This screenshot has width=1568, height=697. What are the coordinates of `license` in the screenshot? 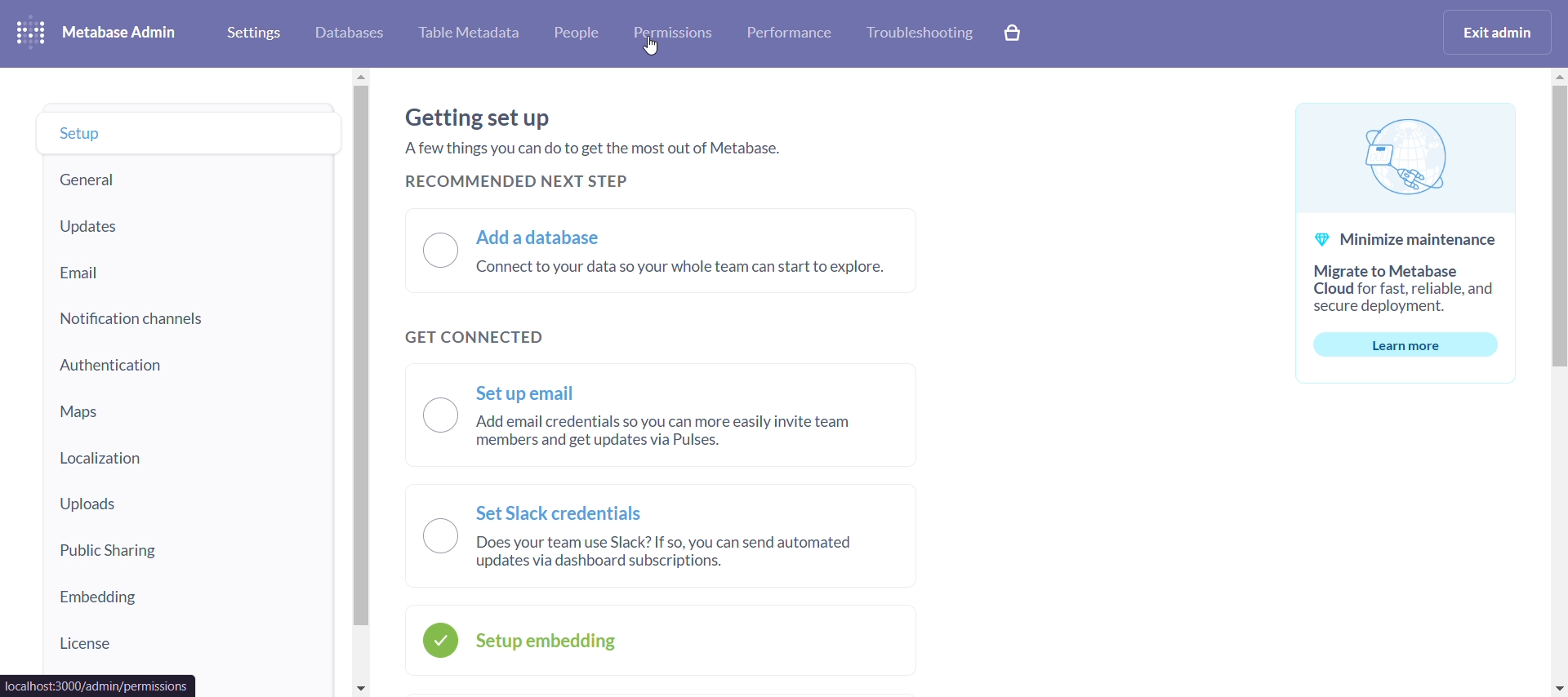 It's located at (186, 650).